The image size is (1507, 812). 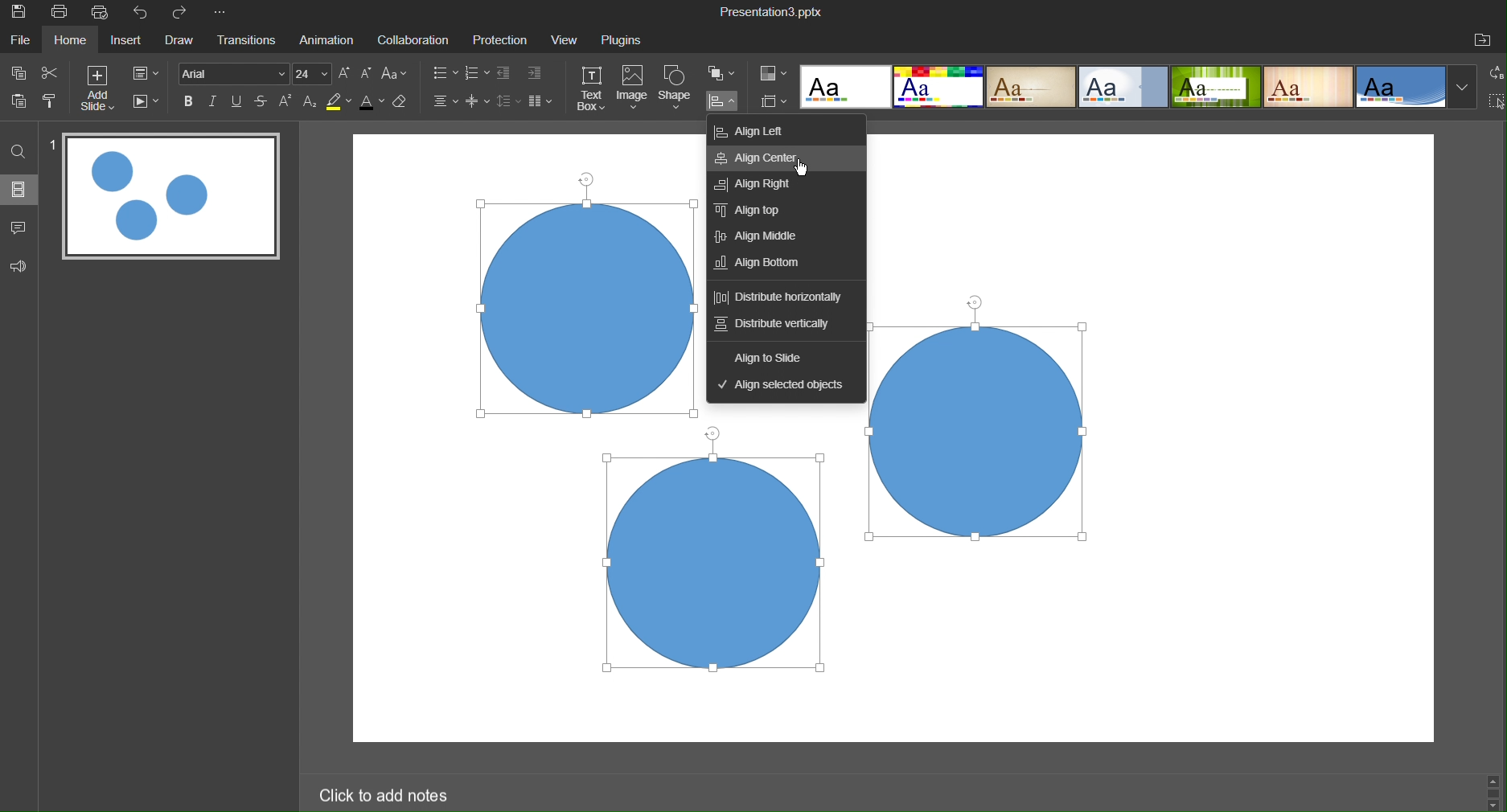 What do you see at coordinates (132, 43) in the screenshot?
I see `Insert` at bounding box center [132, 43].